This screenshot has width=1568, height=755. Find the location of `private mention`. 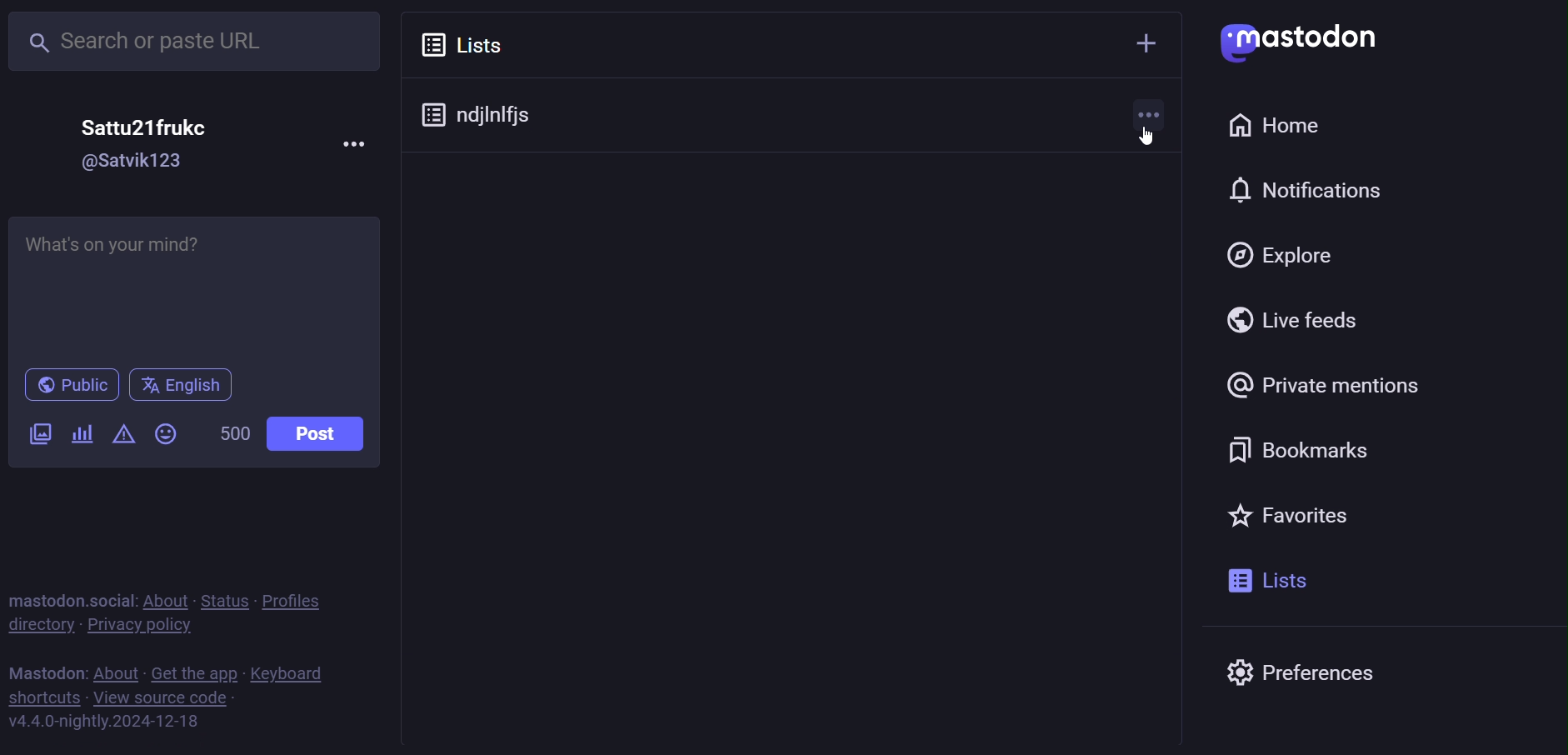

private mention is located at coordinates (1328, 387).